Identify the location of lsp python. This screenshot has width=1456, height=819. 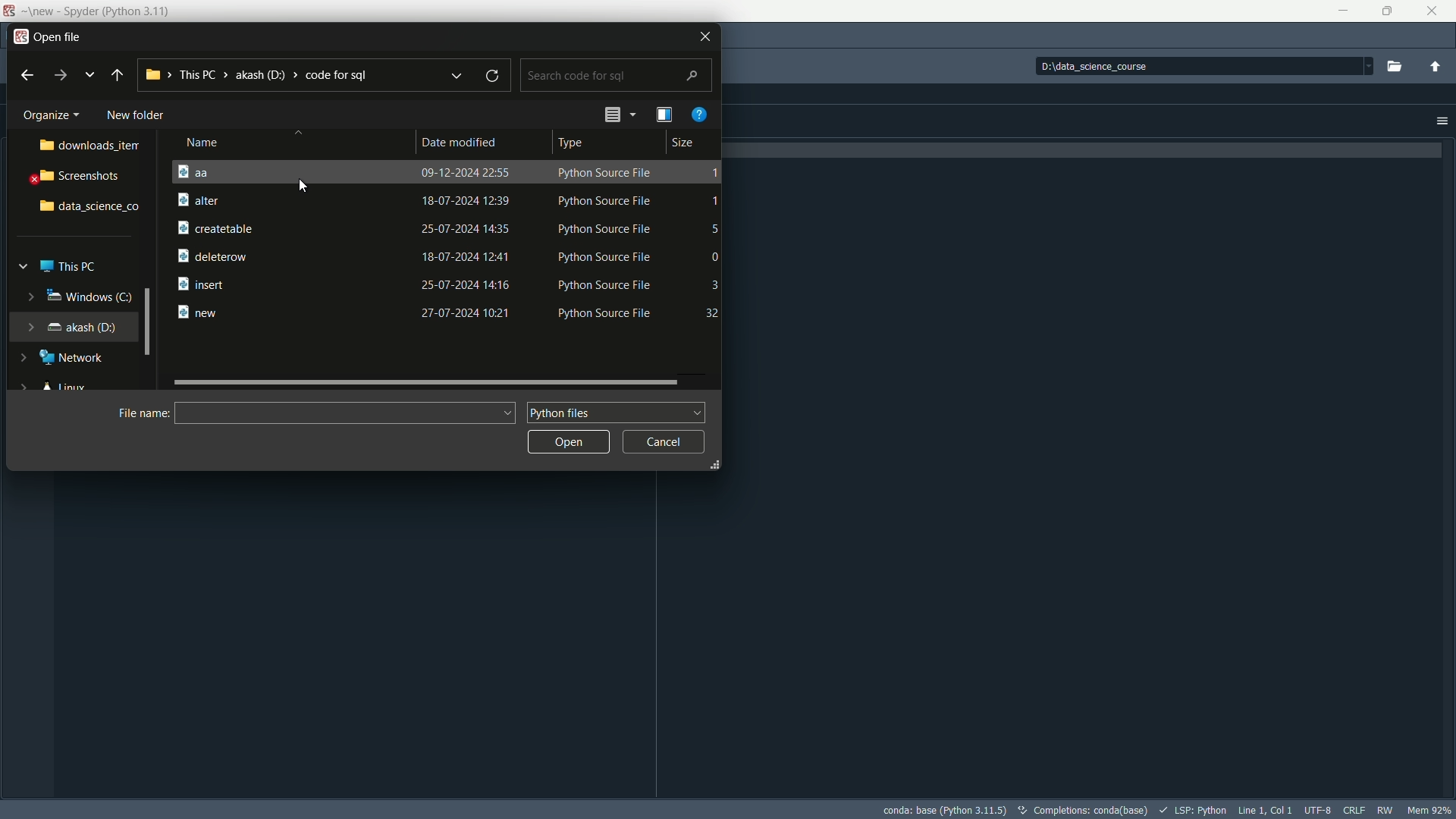
(1197, 808).